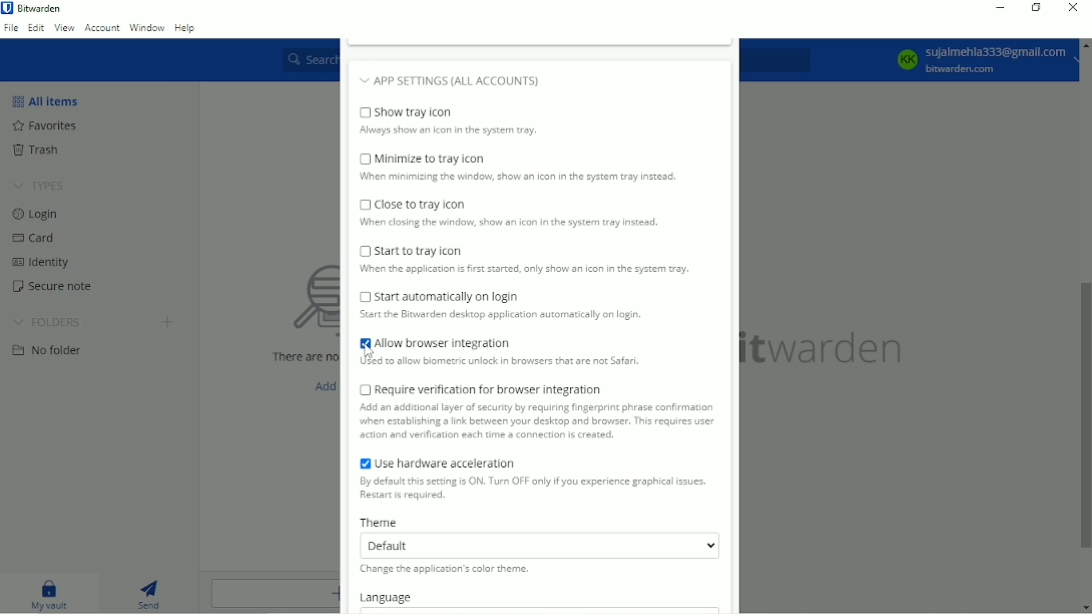 The width and height of the screenshot is (1092, 614). I want to click on Close to tray icon, so click(414, 204).